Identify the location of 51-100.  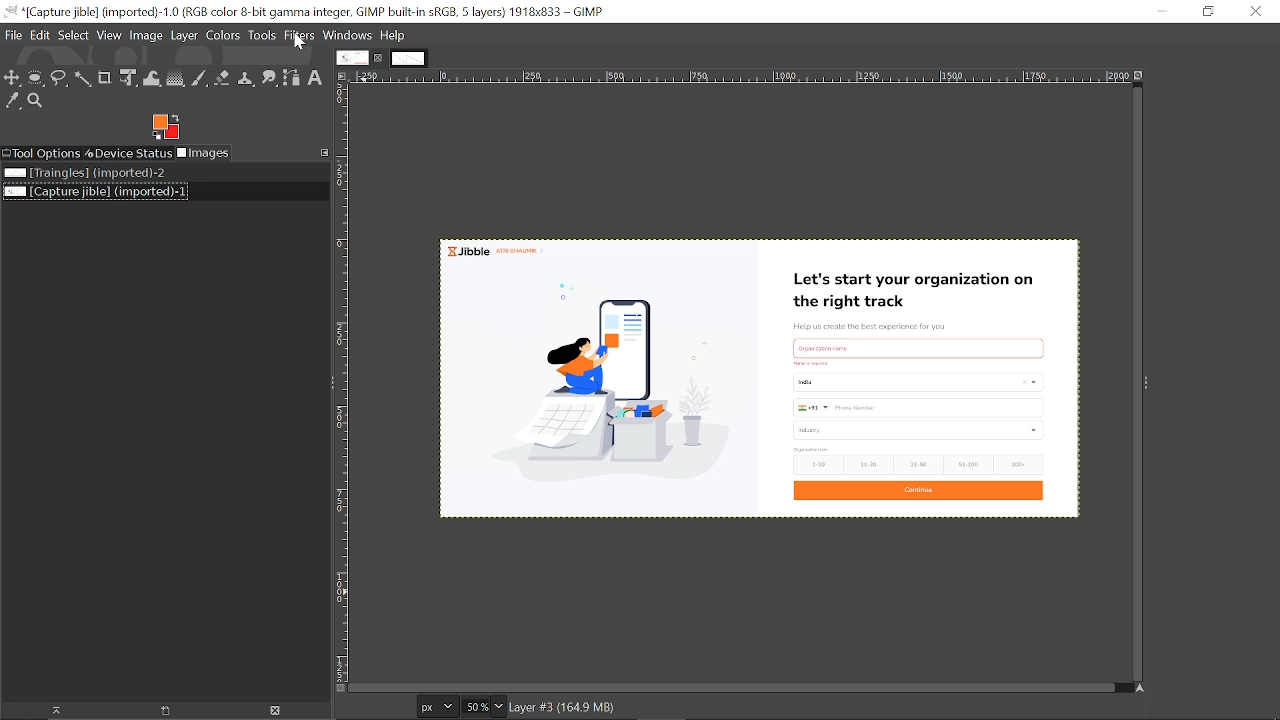
(970, 465).